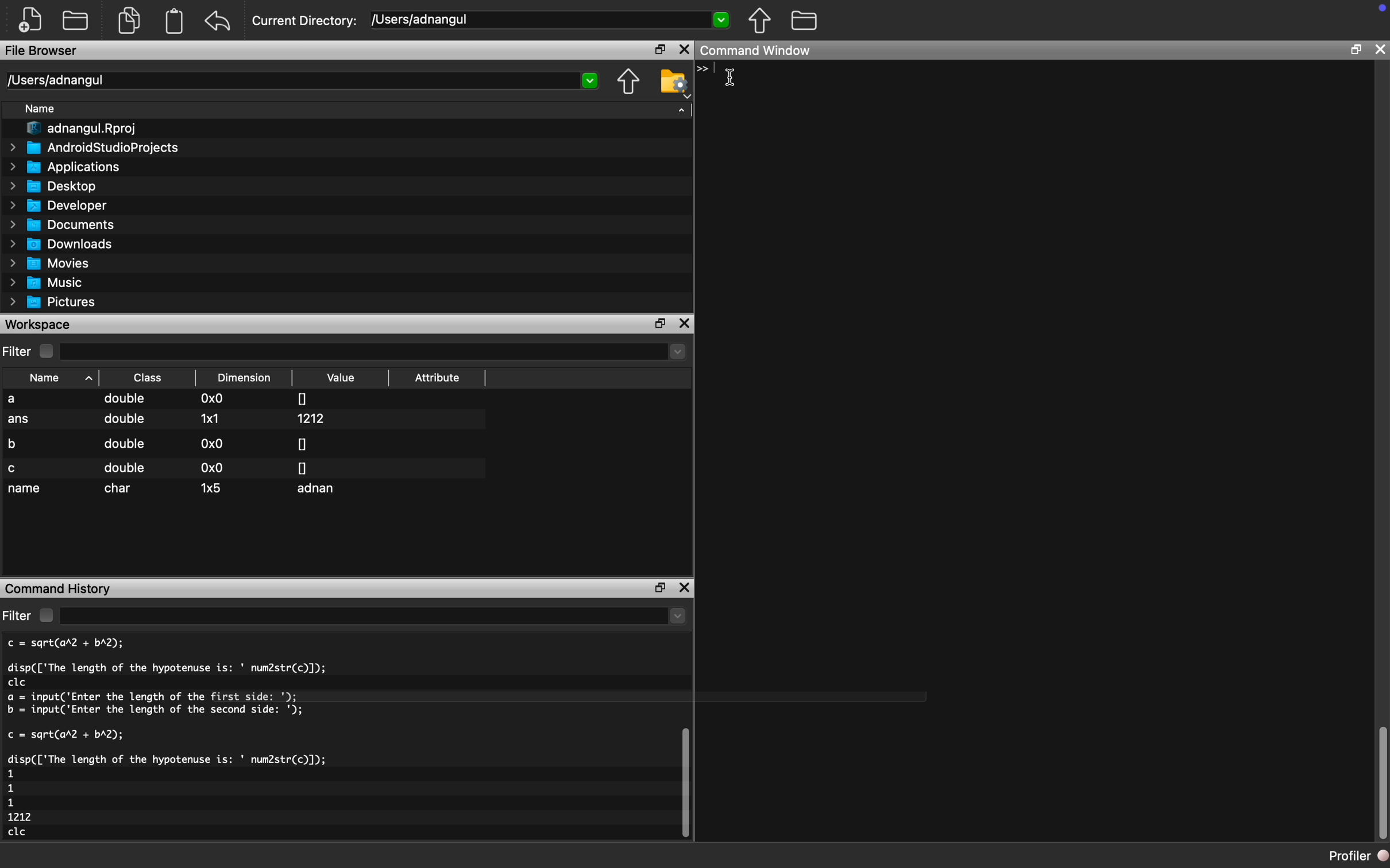  I want to click on vertical scroll bar, so click(1382, 784).